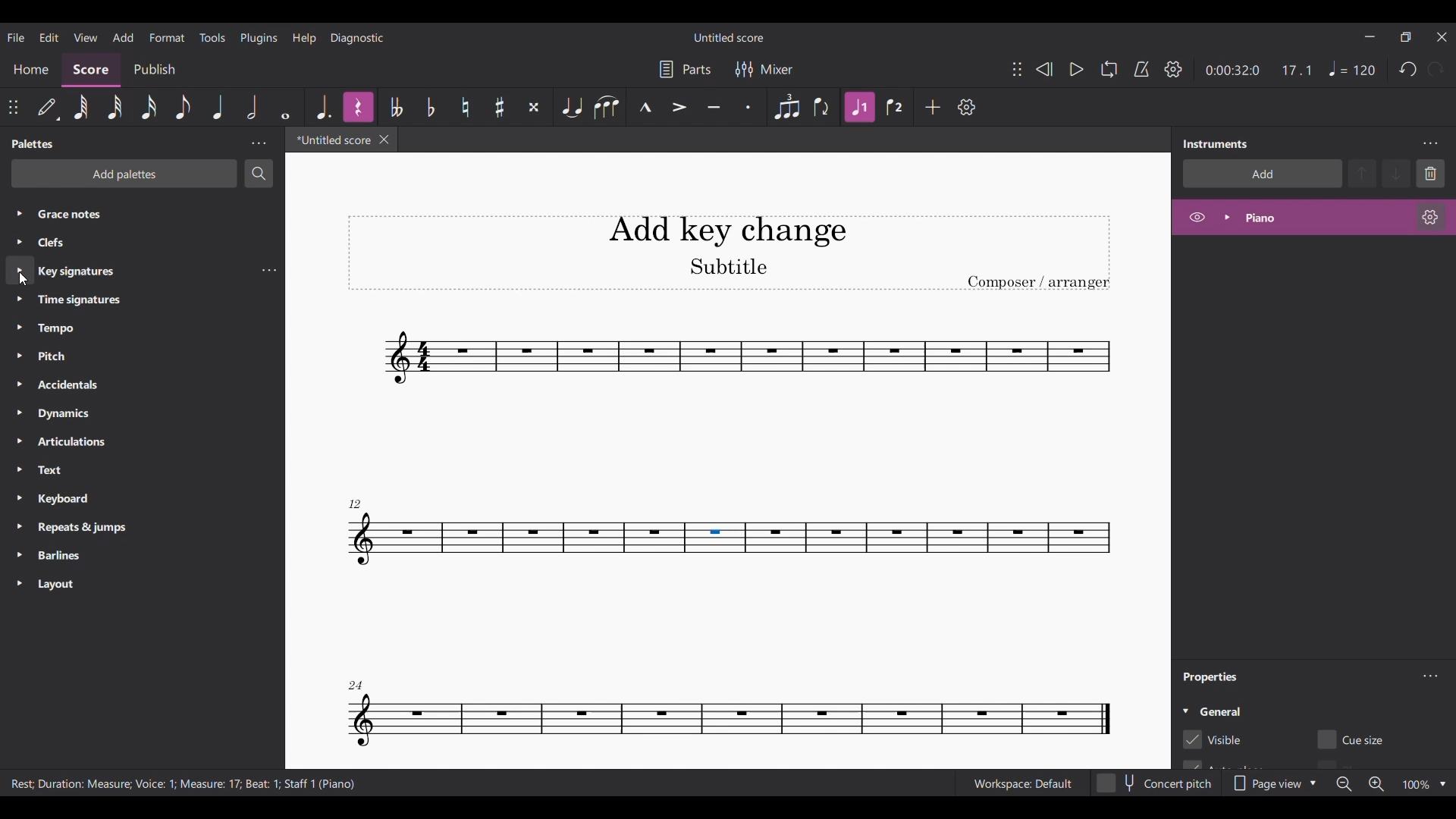 This screenshot has height=819, width=1456. What do you see at coordinates (168, 37) in the screenshot?
I see `Format menu` at bounding box center [168, 37].